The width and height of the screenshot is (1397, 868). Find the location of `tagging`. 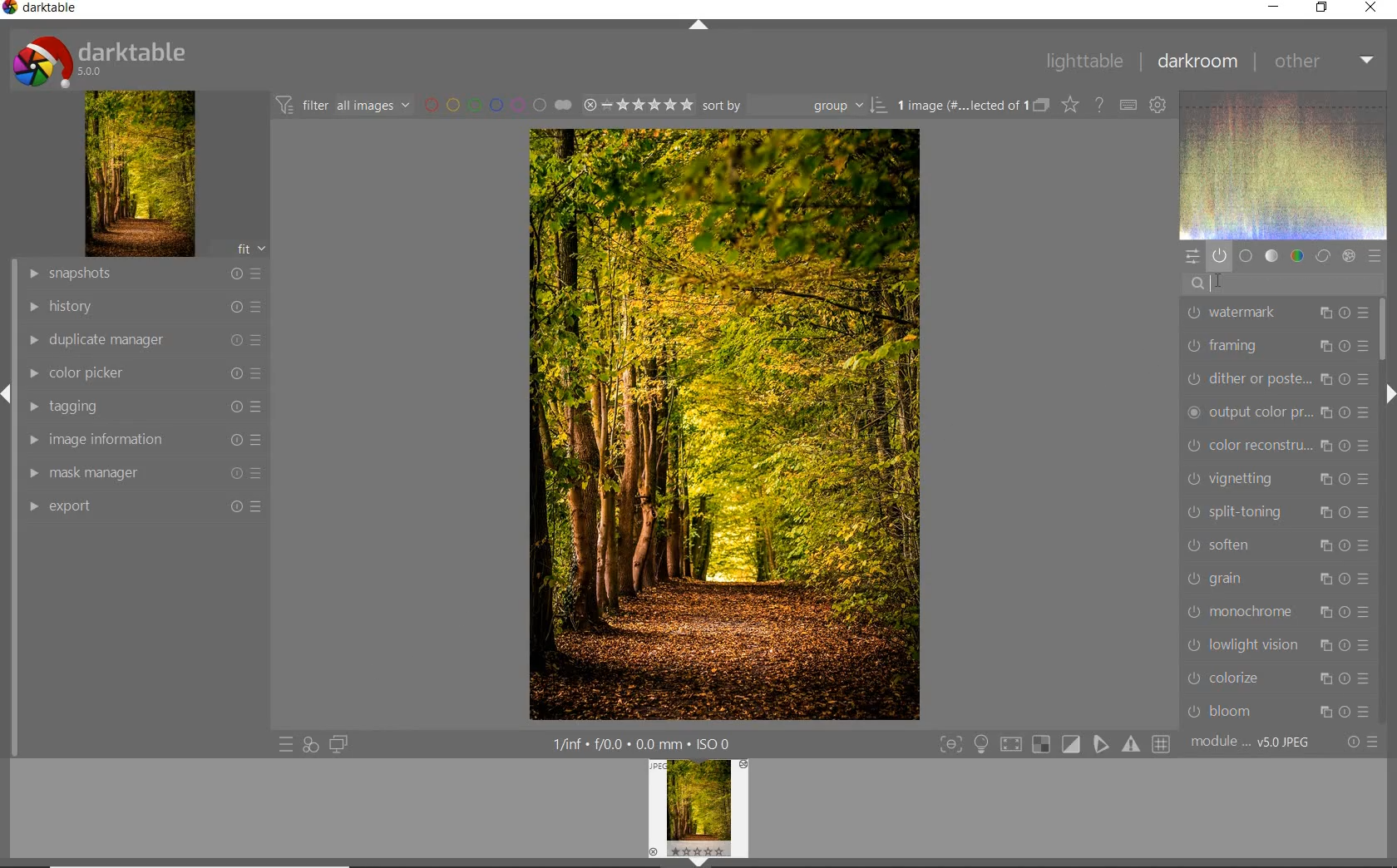

tagging is located at coordinates (143, 408).